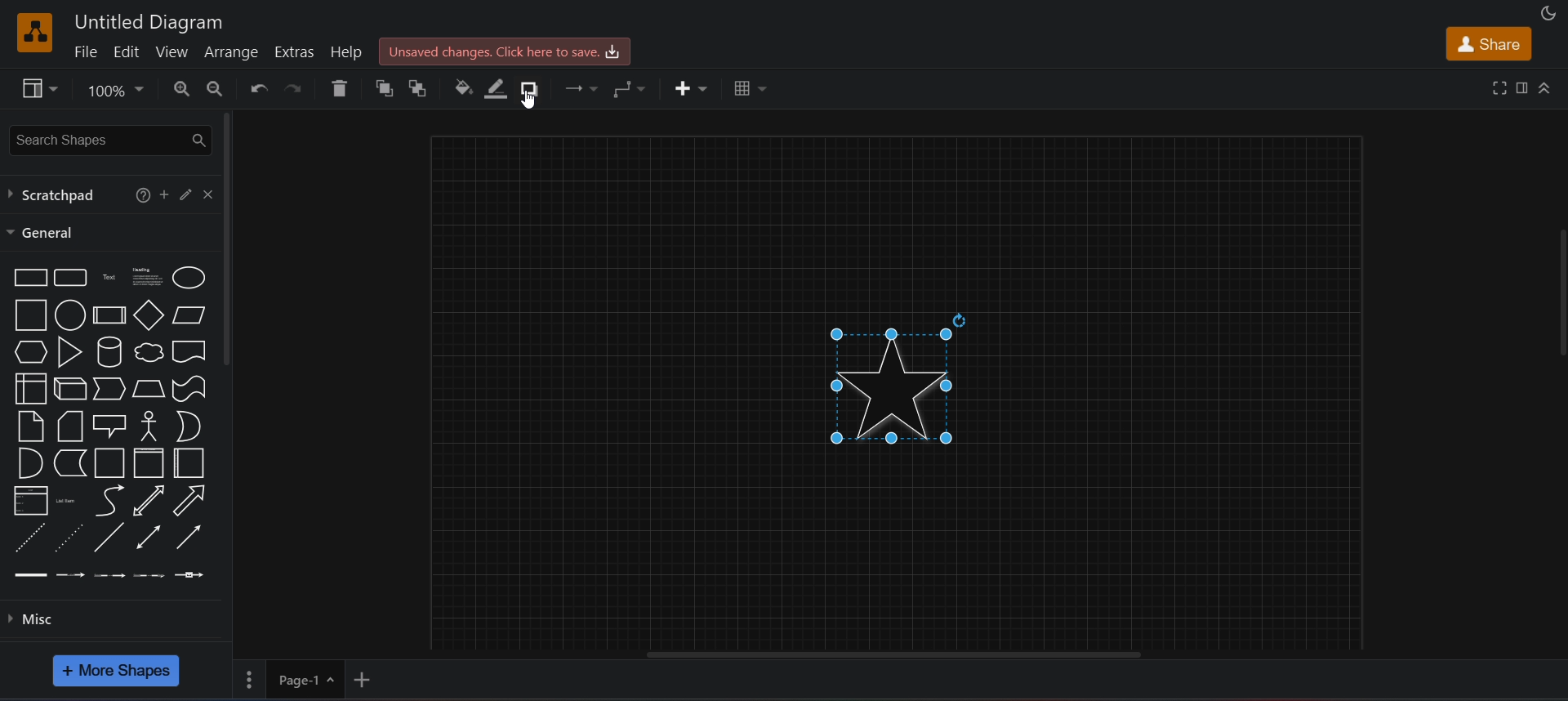 The image size is (1568, 701). What do you see at coordinates (29, 276) in the screenshot?
I see `rectangle` at bounding box center [29, 276].